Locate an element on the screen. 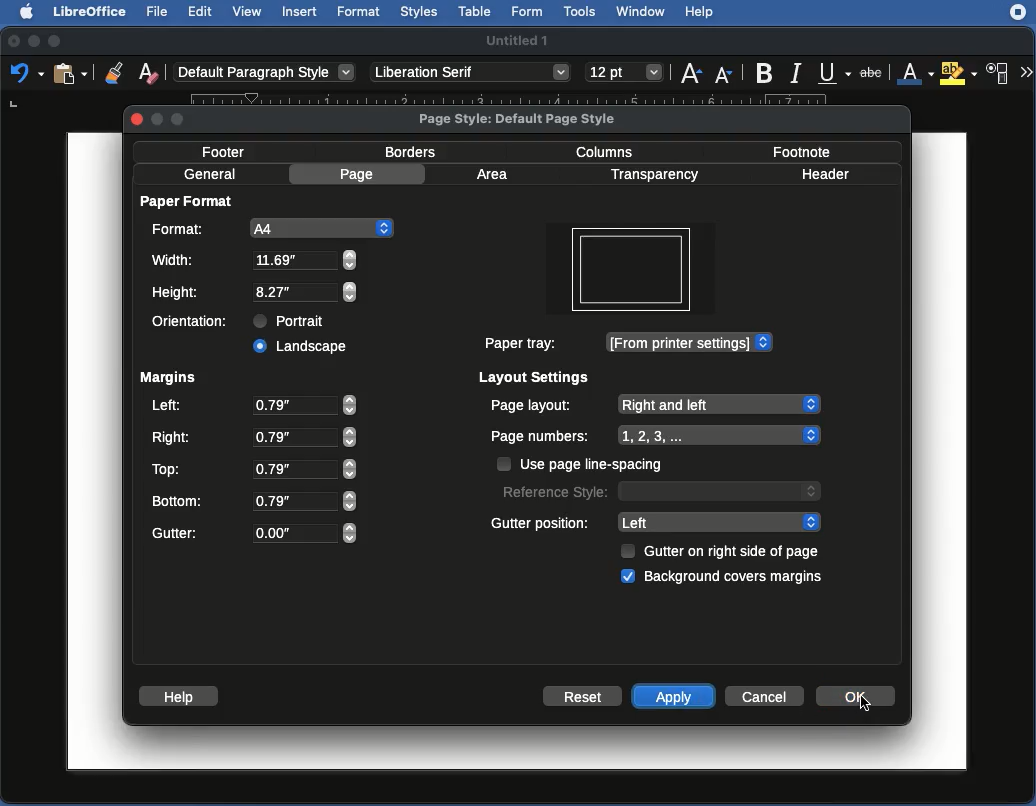  close is located at coordinates (134, 120).